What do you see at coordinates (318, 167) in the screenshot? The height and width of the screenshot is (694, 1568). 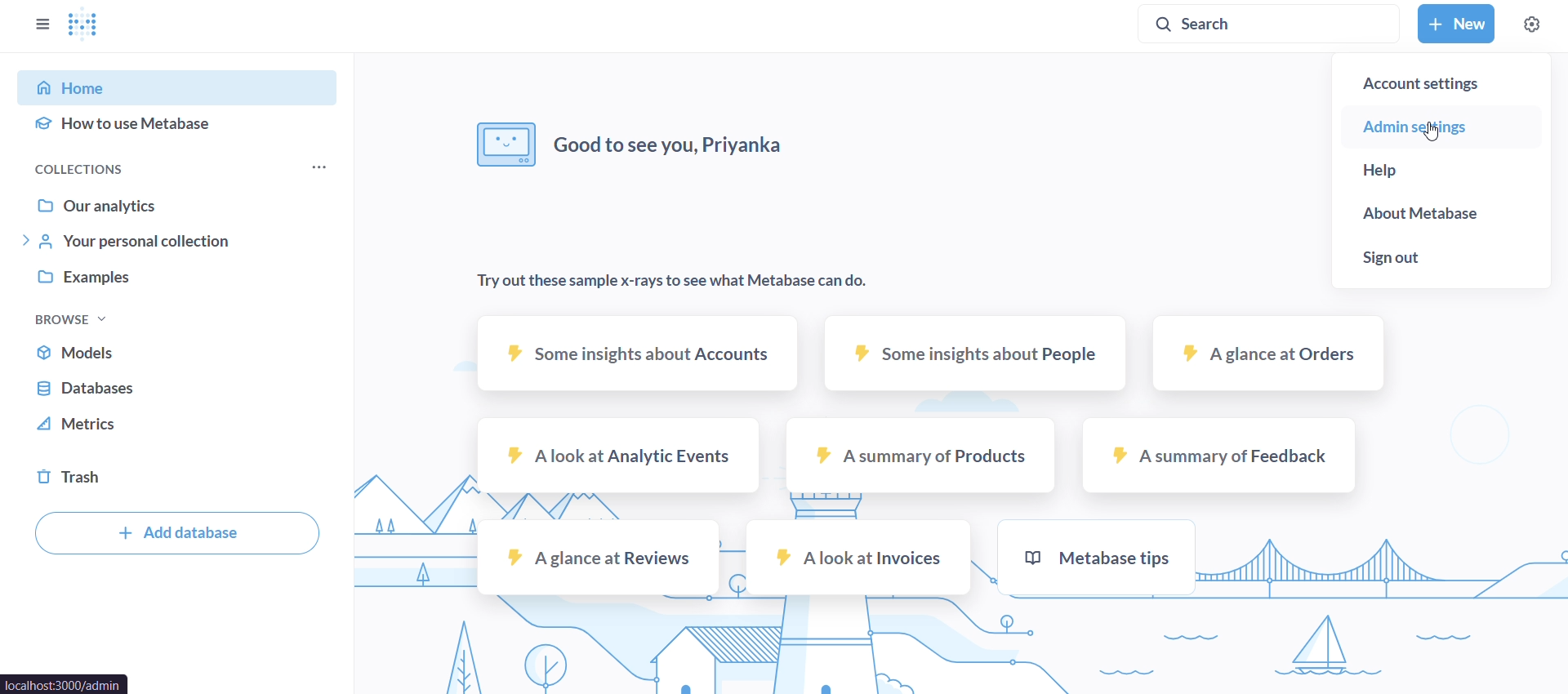 I see `more` at bounding box center [318, 167].